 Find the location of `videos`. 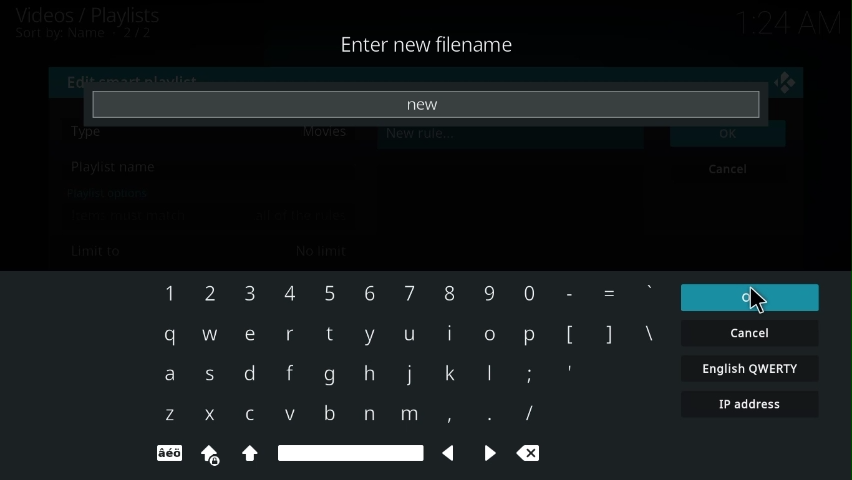

videos is located at coordinates (92, 14).